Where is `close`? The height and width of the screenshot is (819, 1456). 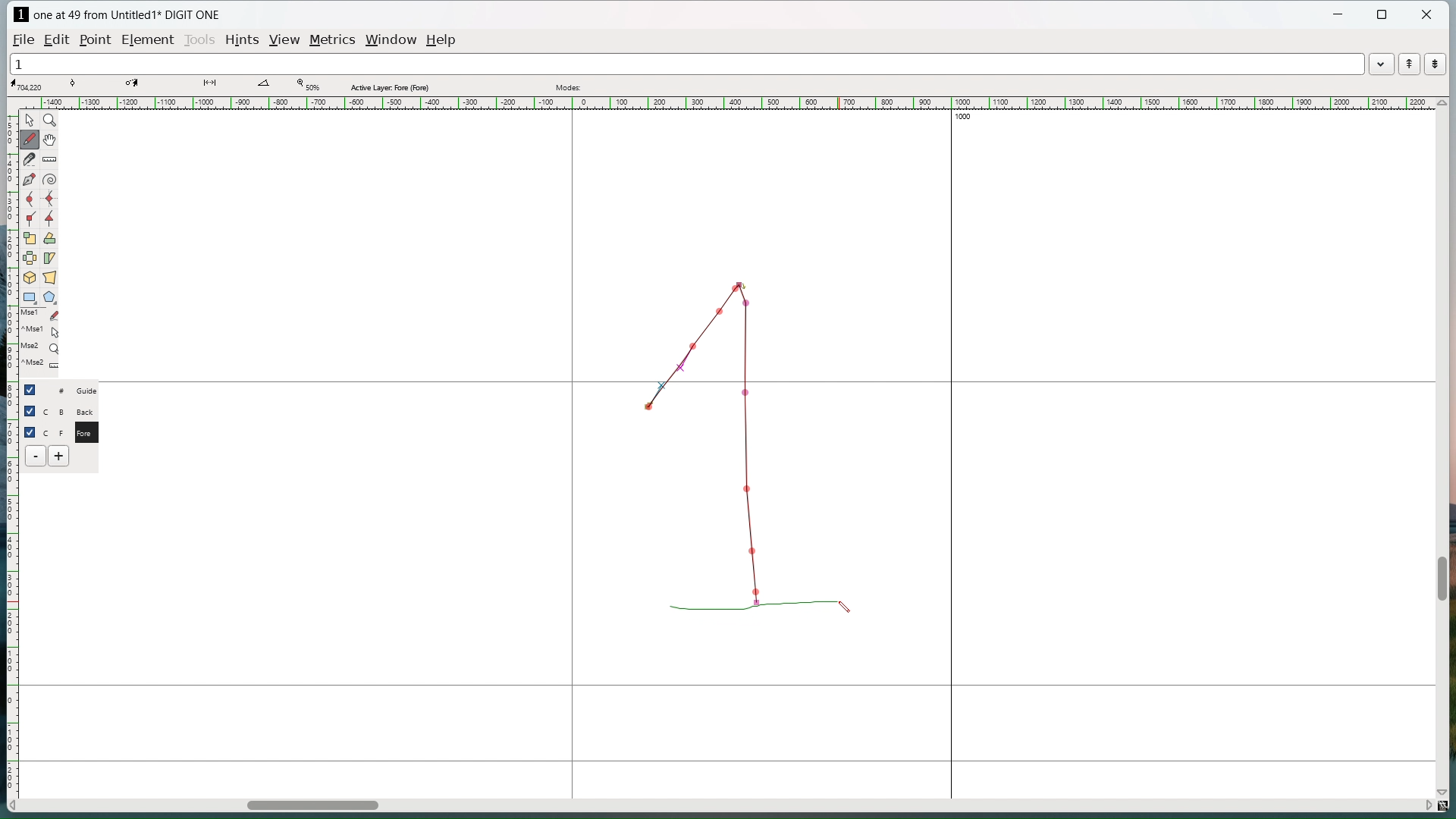
close is located at coordinates (1426, 14).